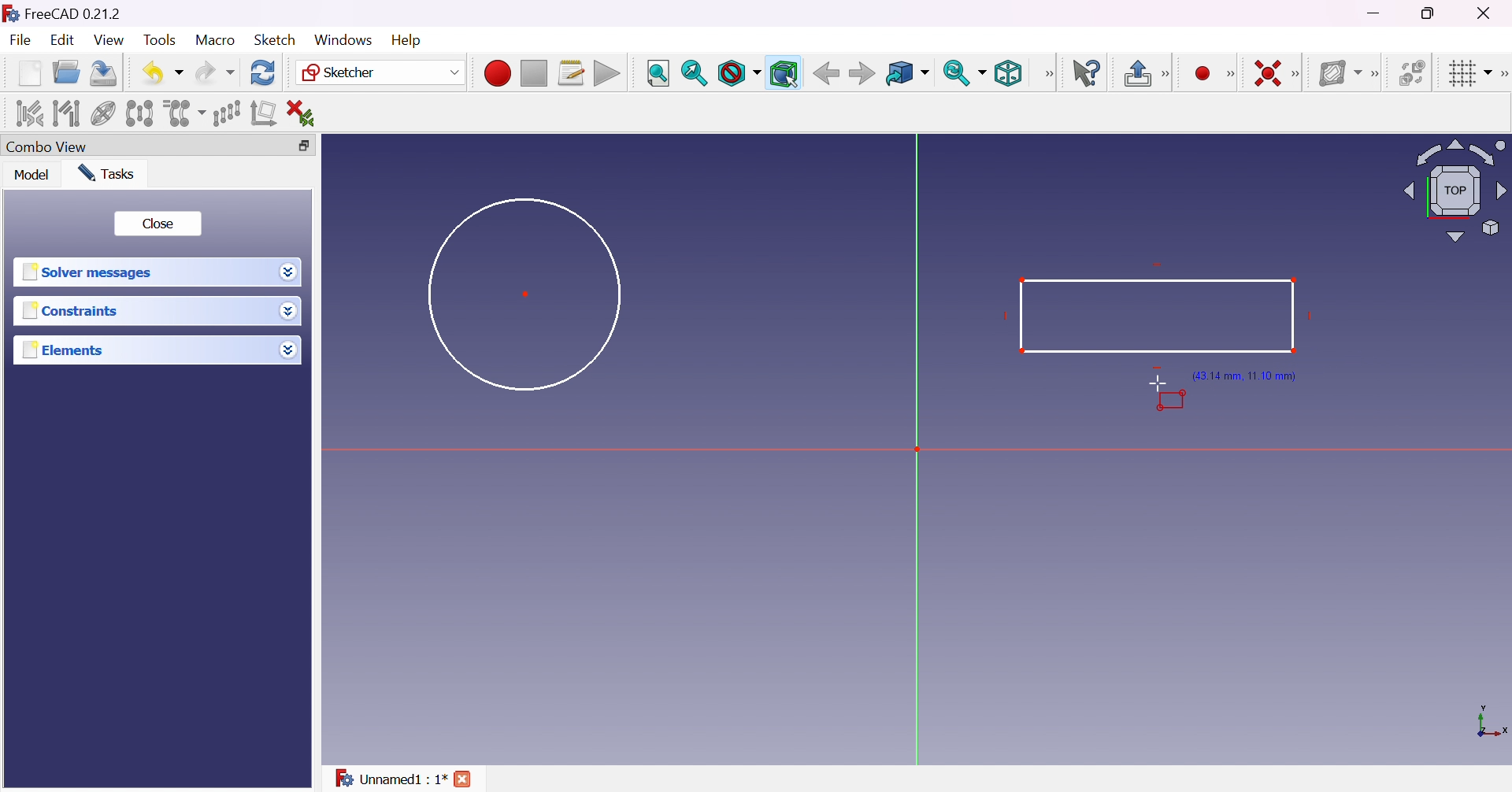 This screenshot has width=1512, height=792. I want to click on Select associated constraints, so click(27, 113).